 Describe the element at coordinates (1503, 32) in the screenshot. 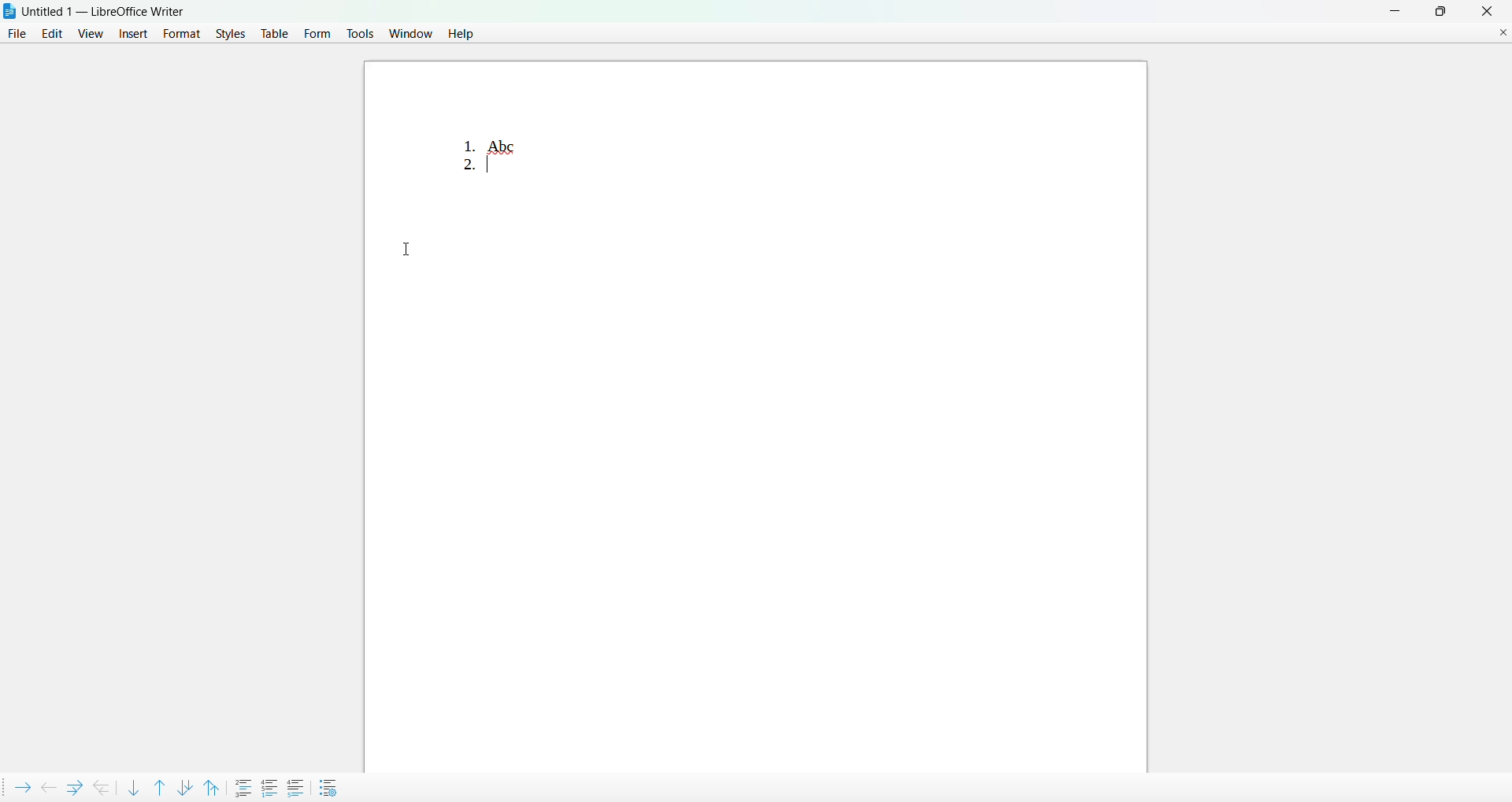

I see `close document` at that location.